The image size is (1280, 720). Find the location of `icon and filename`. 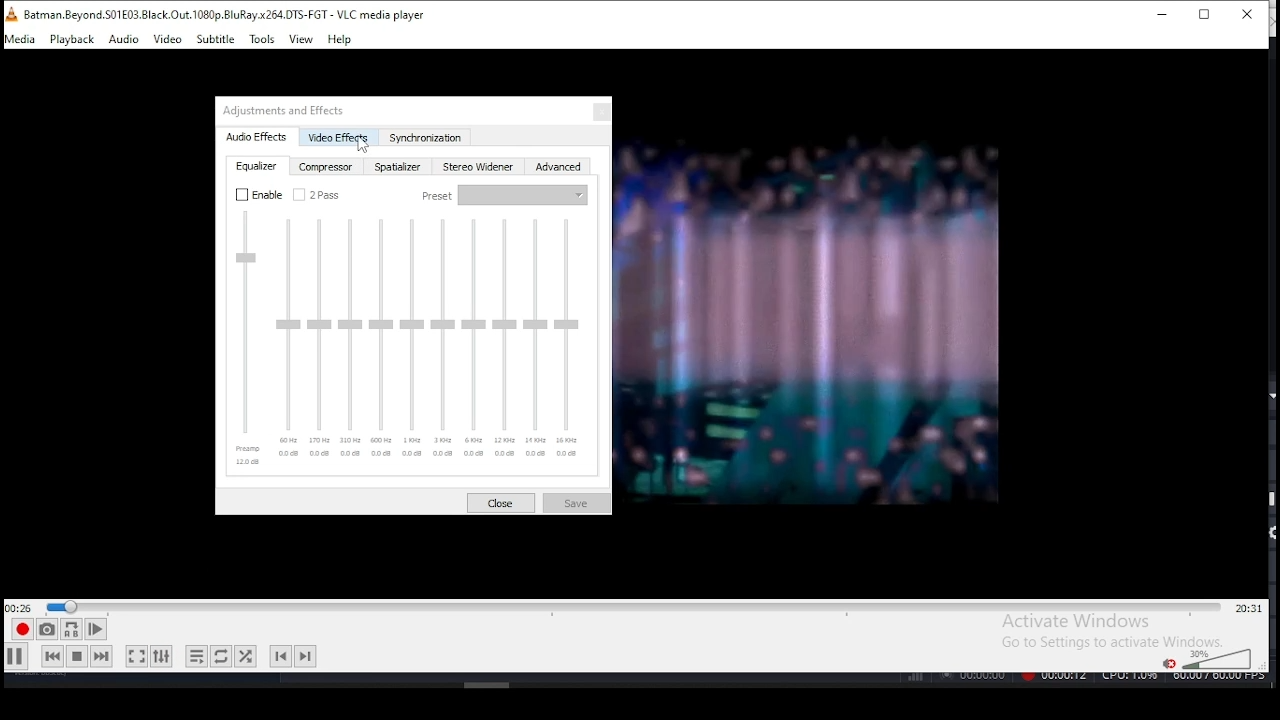

icon and filename is located at coordinates (222, 13).